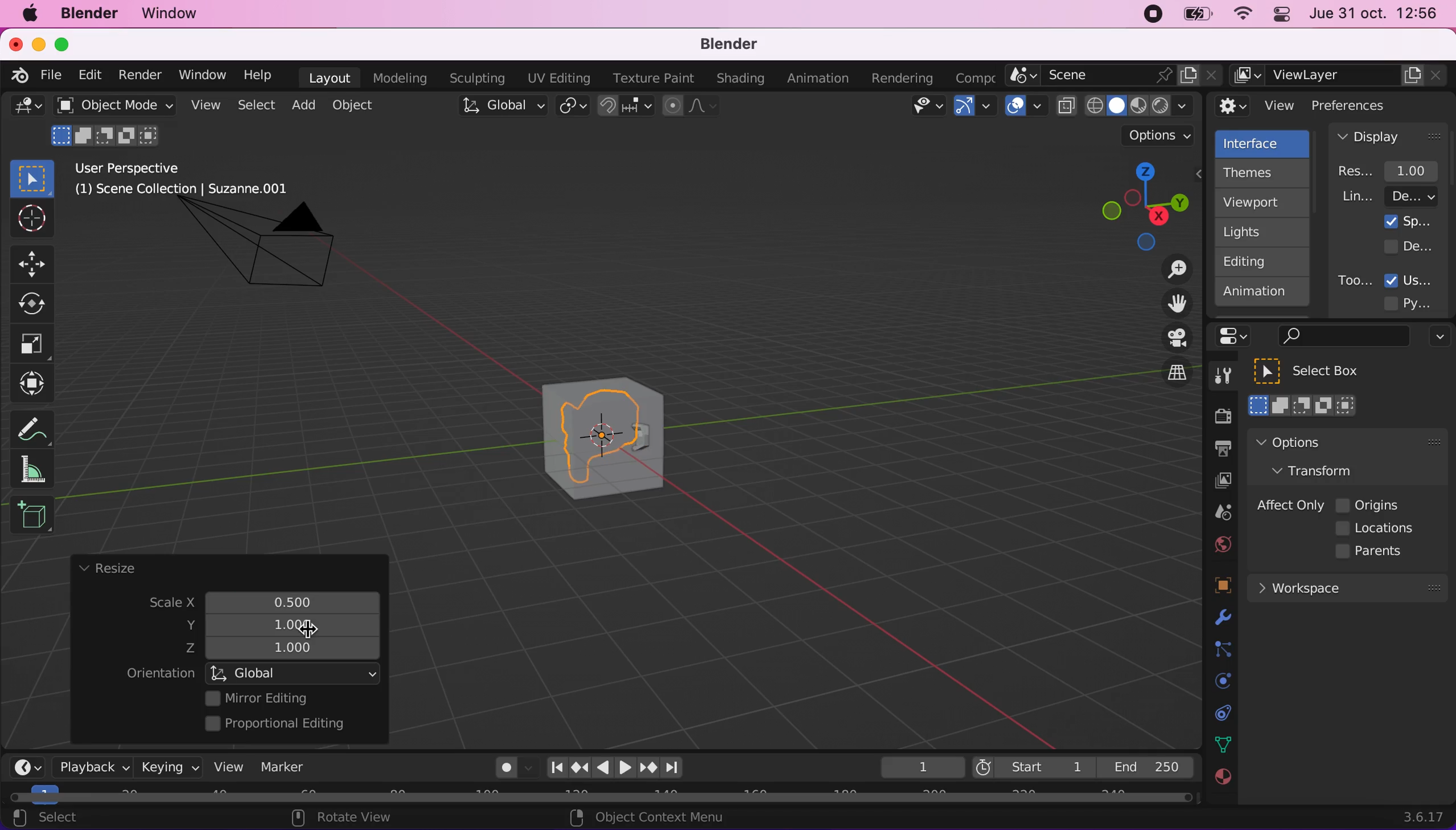  I want to click on transform, so click(1324, 470).